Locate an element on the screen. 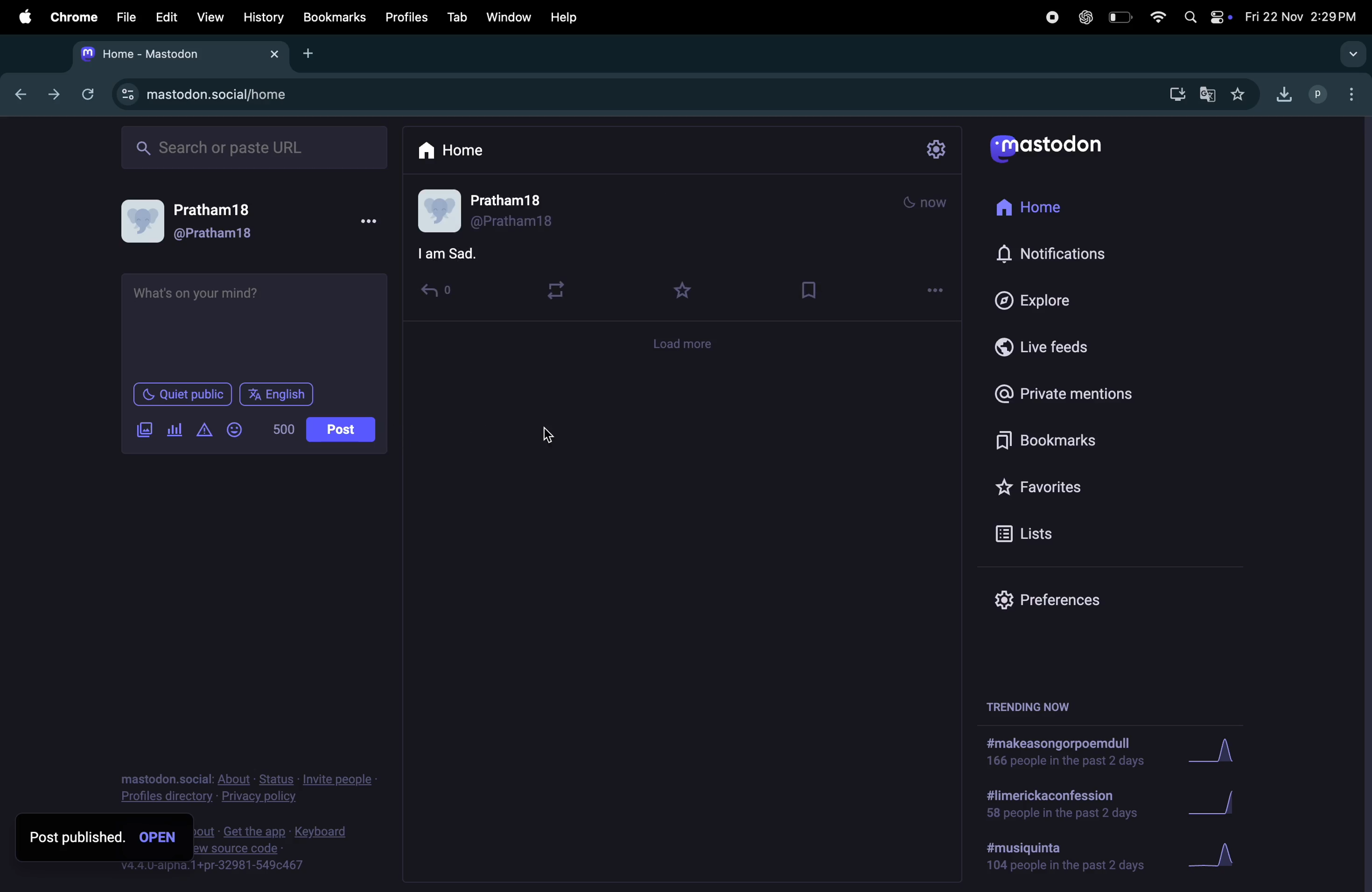  graphs is located at coordinates (1223, 802).